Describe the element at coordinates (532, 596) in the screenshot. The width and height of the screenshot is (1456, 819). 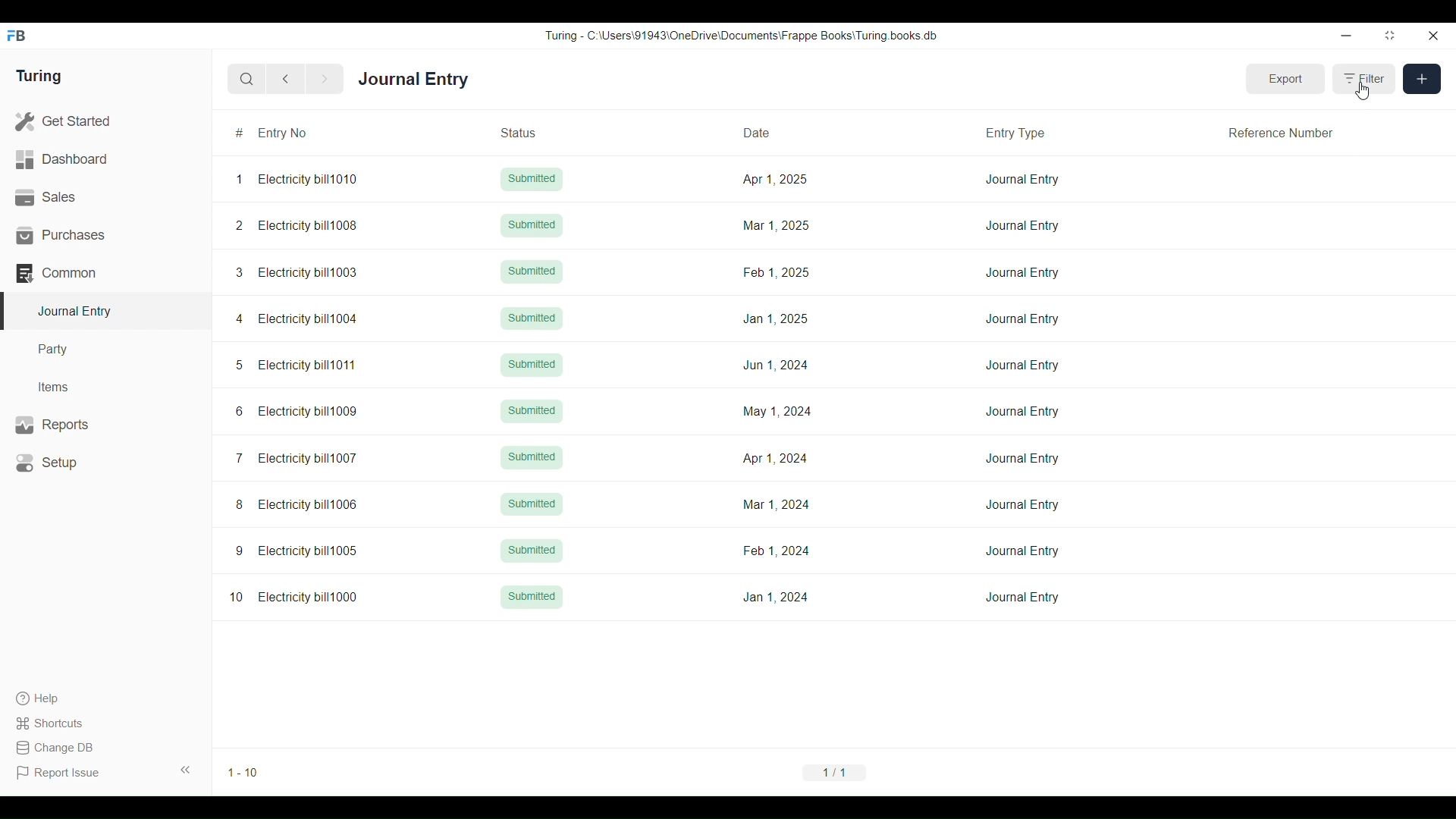
I see `Submitted` at that location.